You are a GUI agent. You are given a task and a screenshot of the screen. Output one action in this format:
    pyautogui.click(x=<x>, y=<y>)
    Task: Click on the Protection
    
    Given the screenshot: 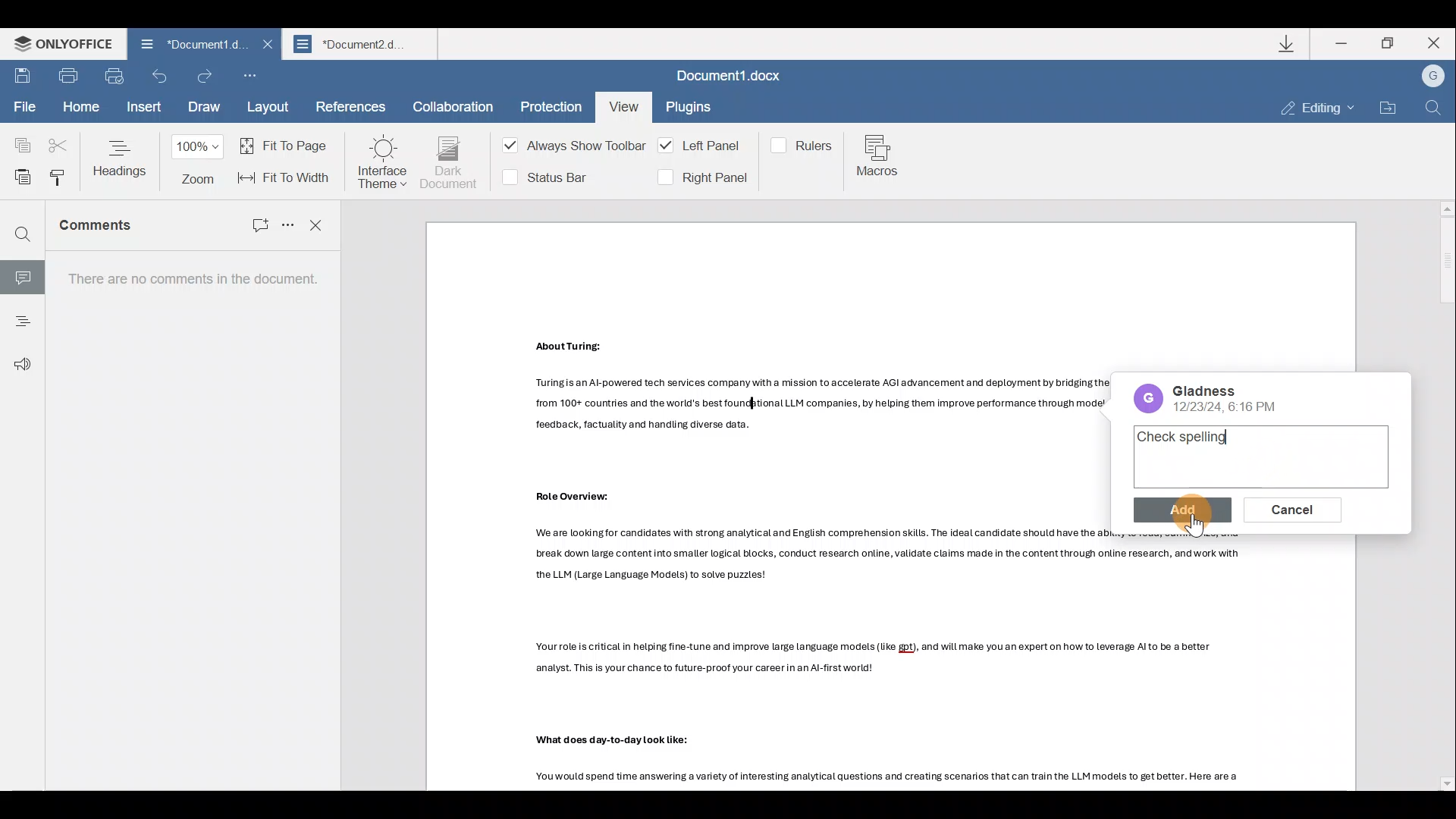 What is the action you would take?
    pyautogui.click(x=547, y=104)
    